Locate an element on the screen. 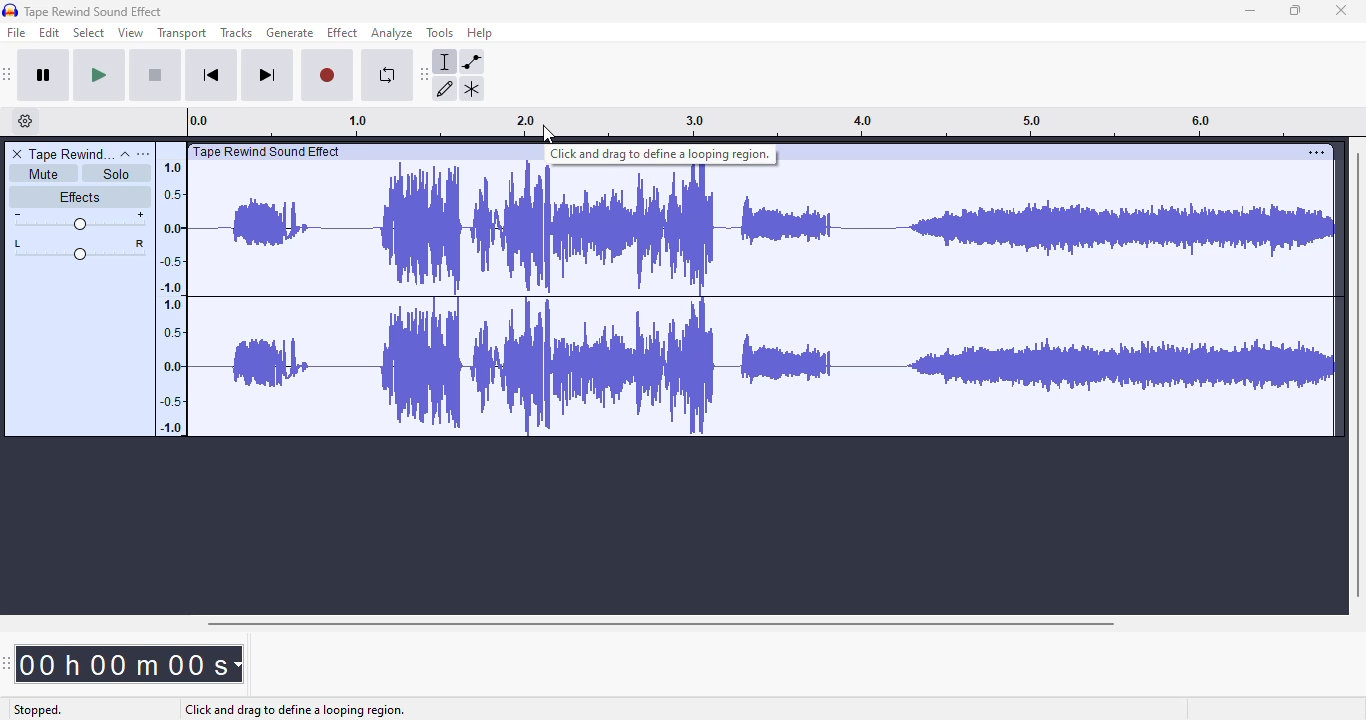 This screenshot has width=1366, height=720. effect is located at coordinates (342, 33).